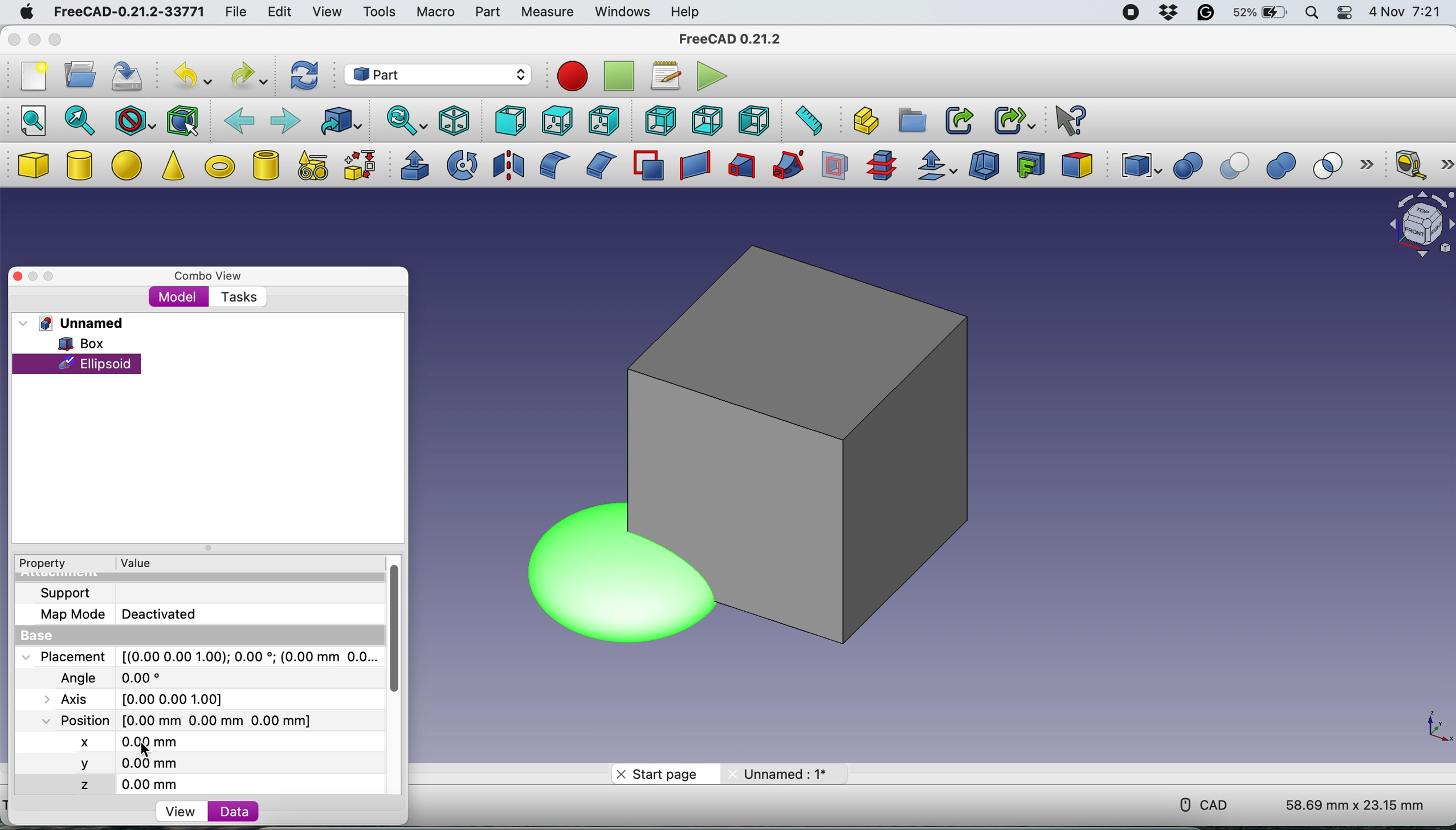 Image resolution: width=1456 pixels, height=830 pixels. Describe the element at coordinates (835, 169) in the screenshot. I see `section` at that location.